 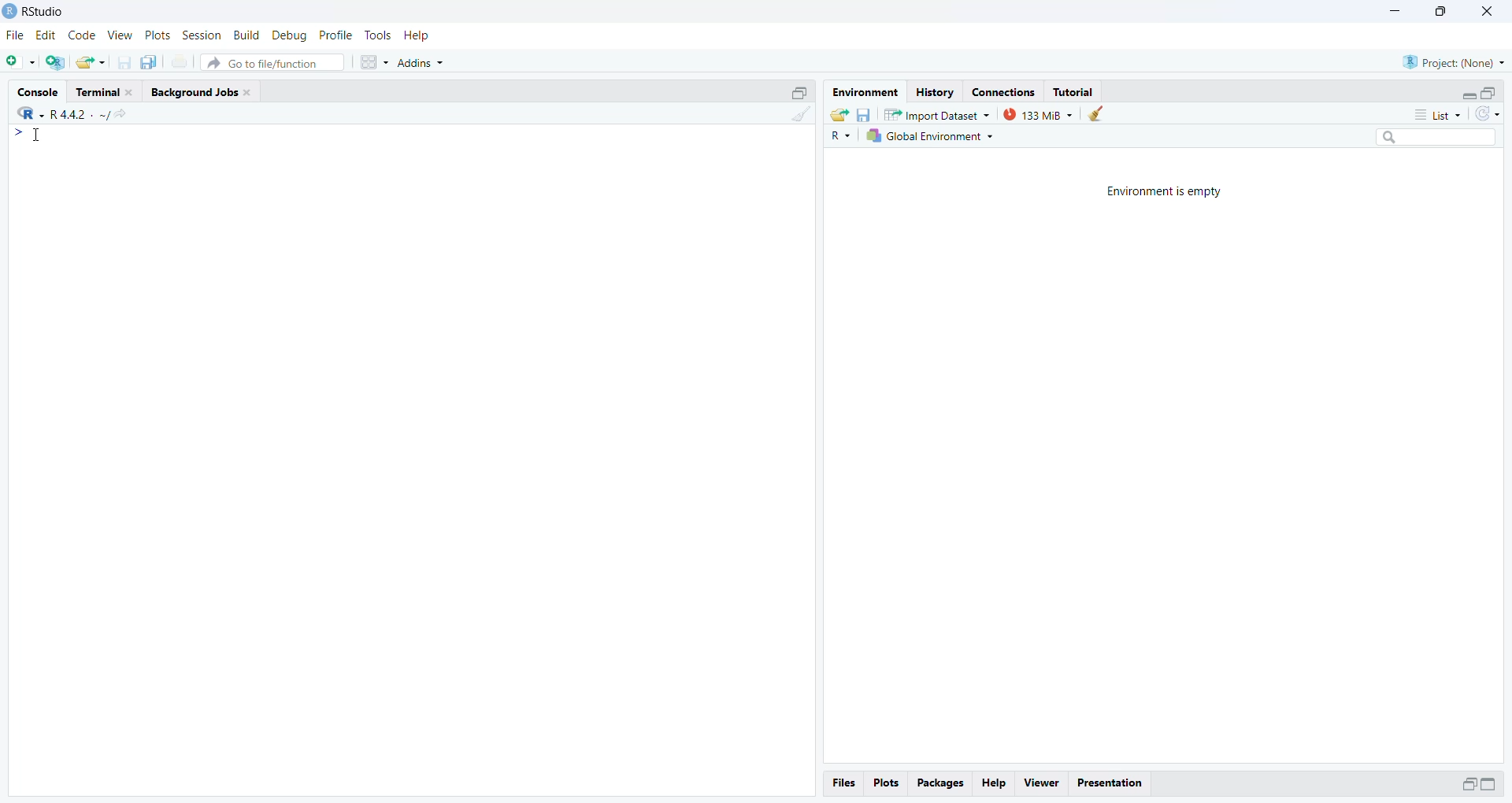 What do you see at coordinates (839, 115) in the screenshot?
I see `Load workspace` at bounding box center [839, 115].